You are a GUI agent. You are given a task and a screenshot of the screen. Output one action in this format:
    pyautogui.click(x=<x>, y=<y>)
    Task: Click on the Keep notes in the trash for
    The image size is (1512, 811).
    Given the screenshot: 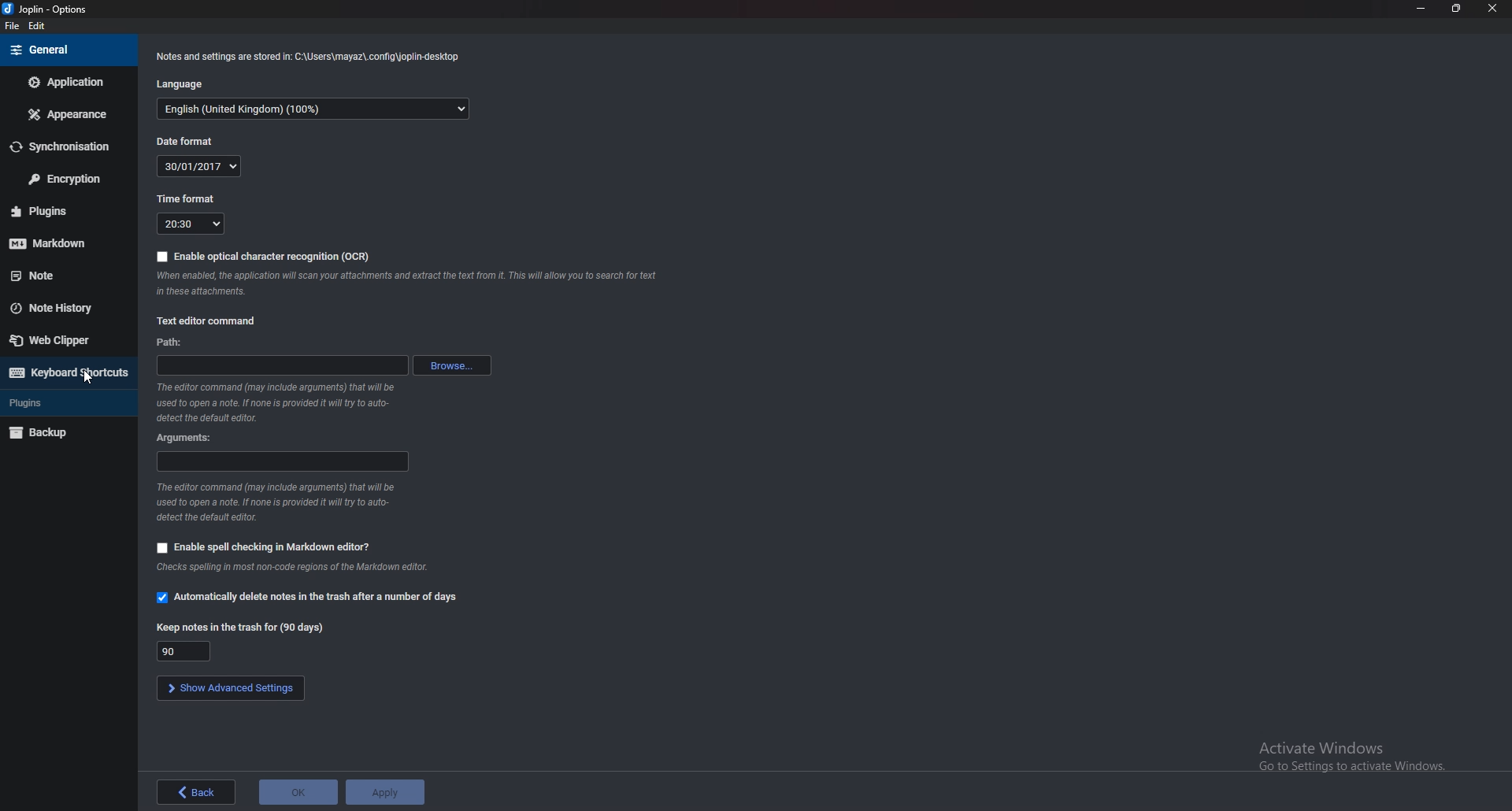 What is the action you would take?
    pyautogui.click(x=241, y=627)
    